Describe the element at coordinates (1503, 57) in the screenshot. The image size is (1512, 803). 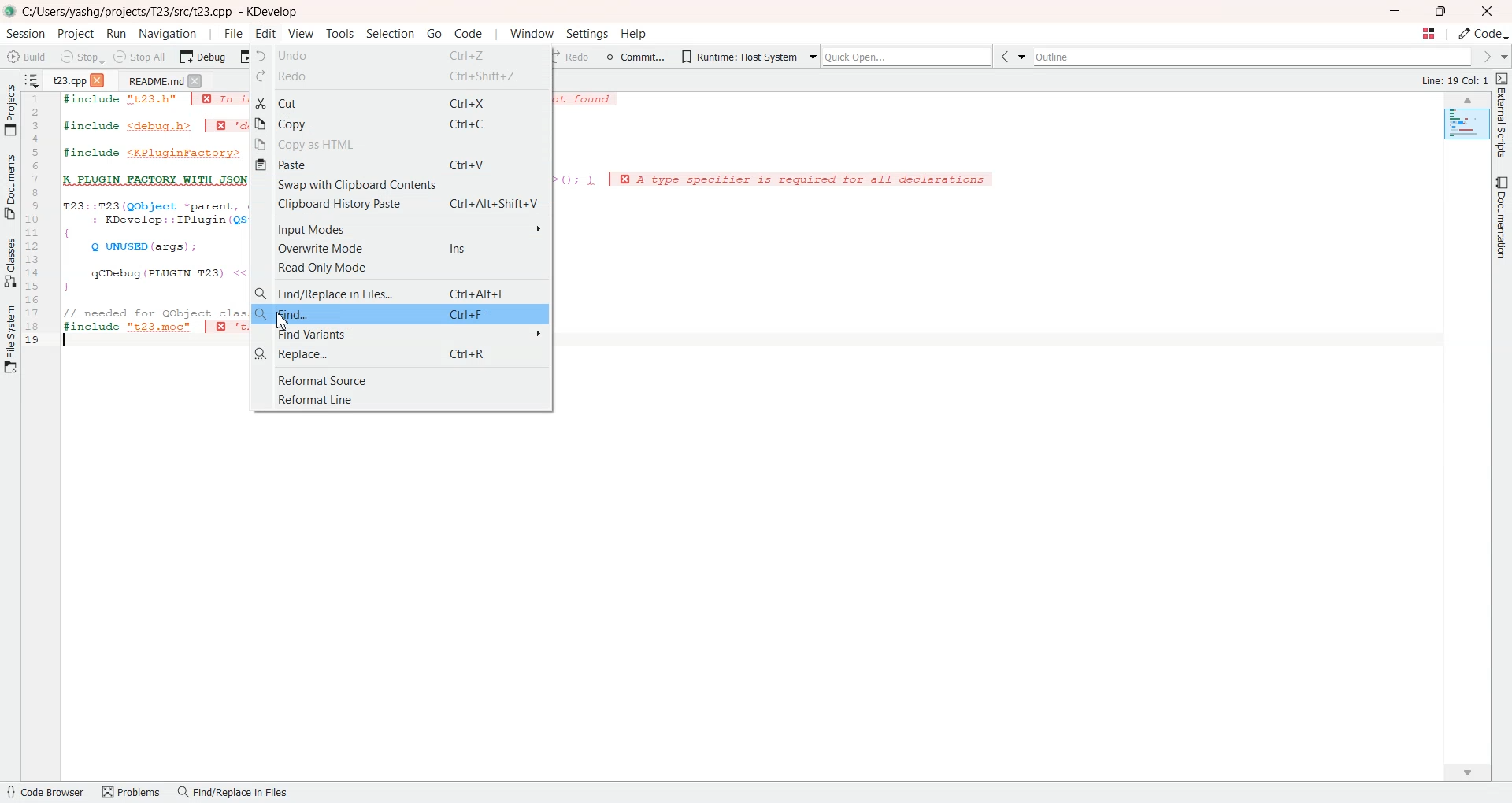
I see `Drop down box` at that location.